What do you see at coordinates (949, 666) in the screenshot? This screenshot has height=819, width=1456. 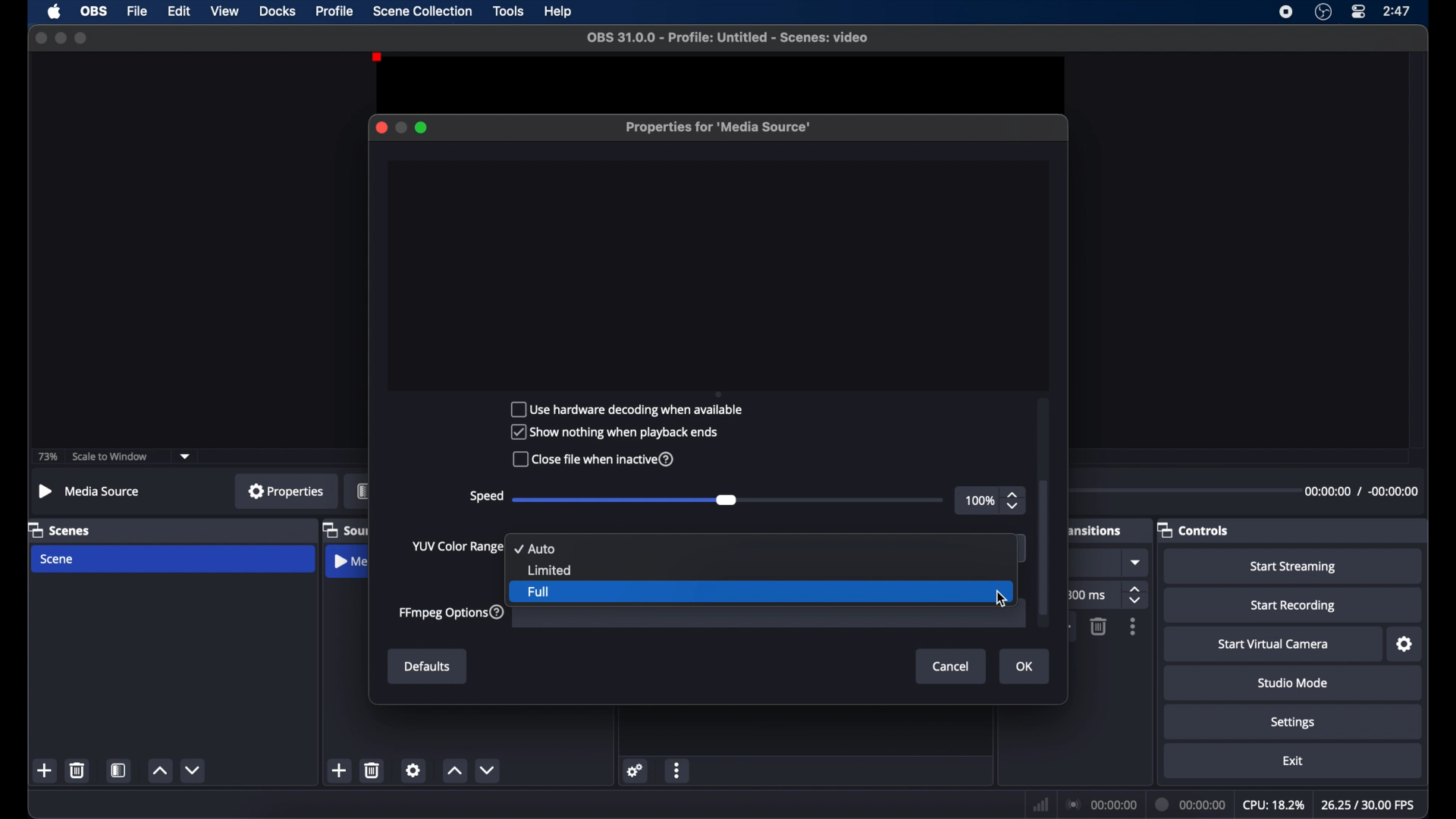 I see `Cancel` at bounding box center [949, 666].